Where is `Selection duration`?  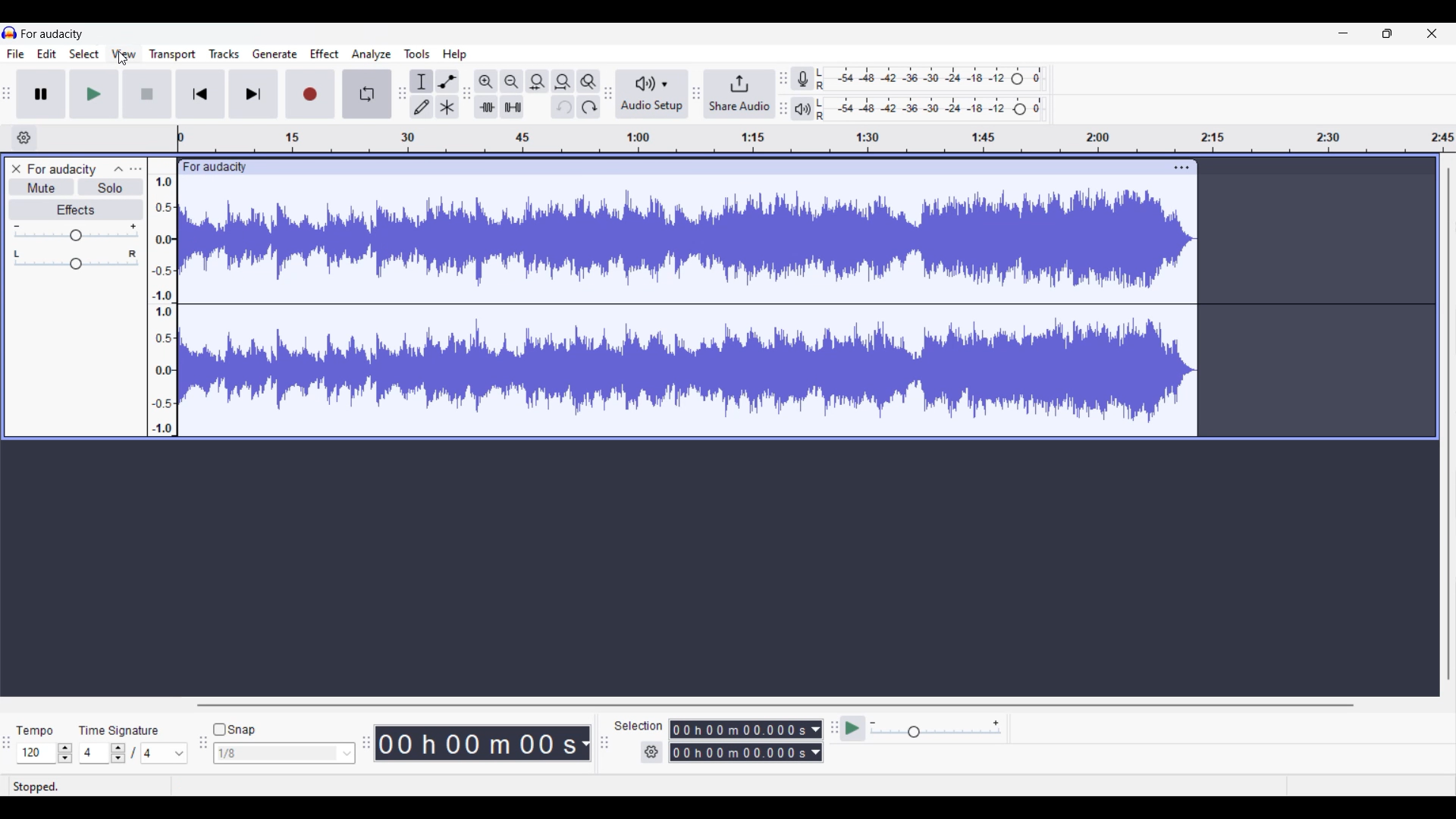
Selection duration is located at coordinates (739, 740).